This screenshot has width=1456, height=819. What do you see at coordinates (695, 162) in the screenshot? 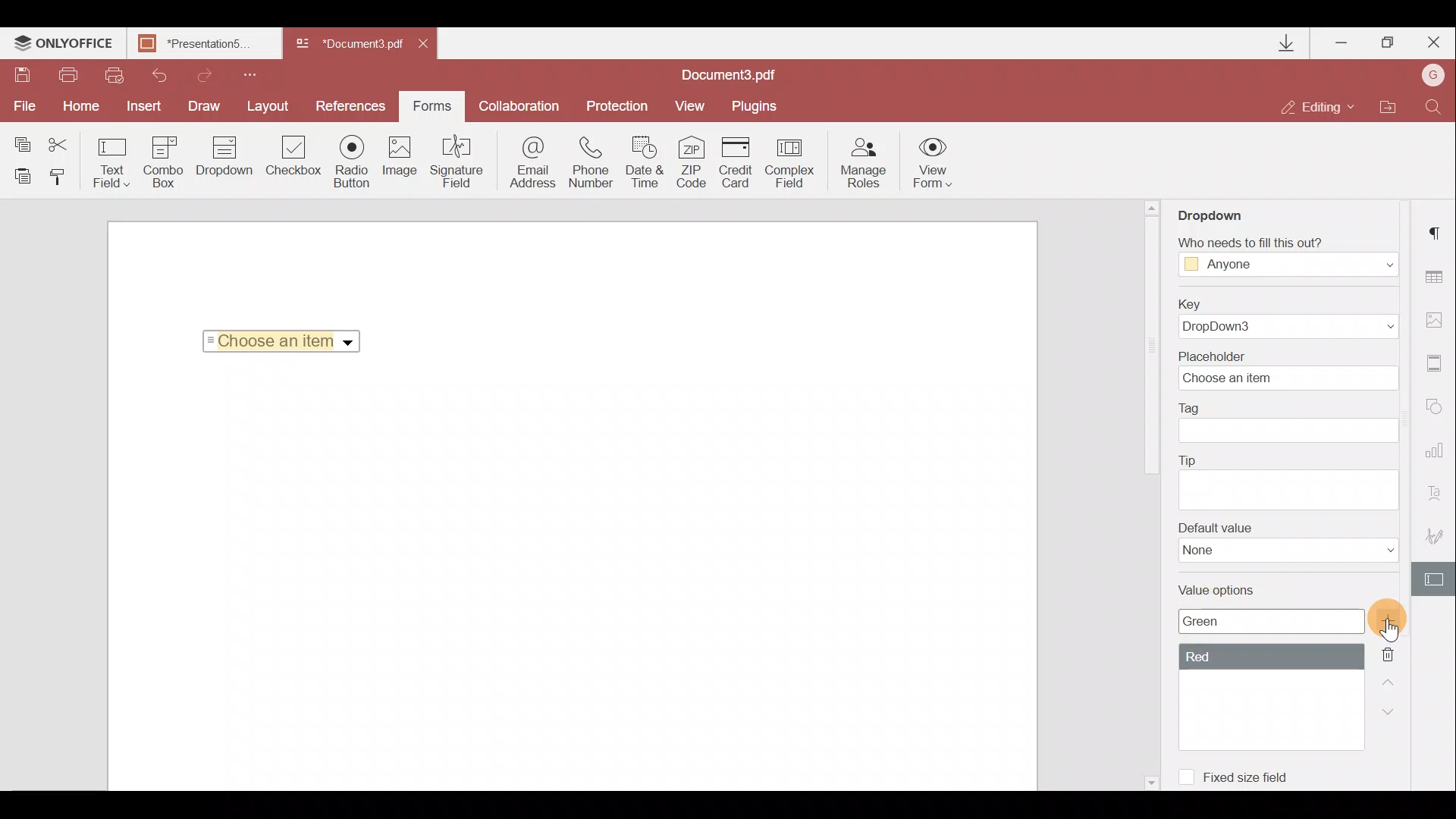
I see `ZIP code` at bounding box center [695, 162].